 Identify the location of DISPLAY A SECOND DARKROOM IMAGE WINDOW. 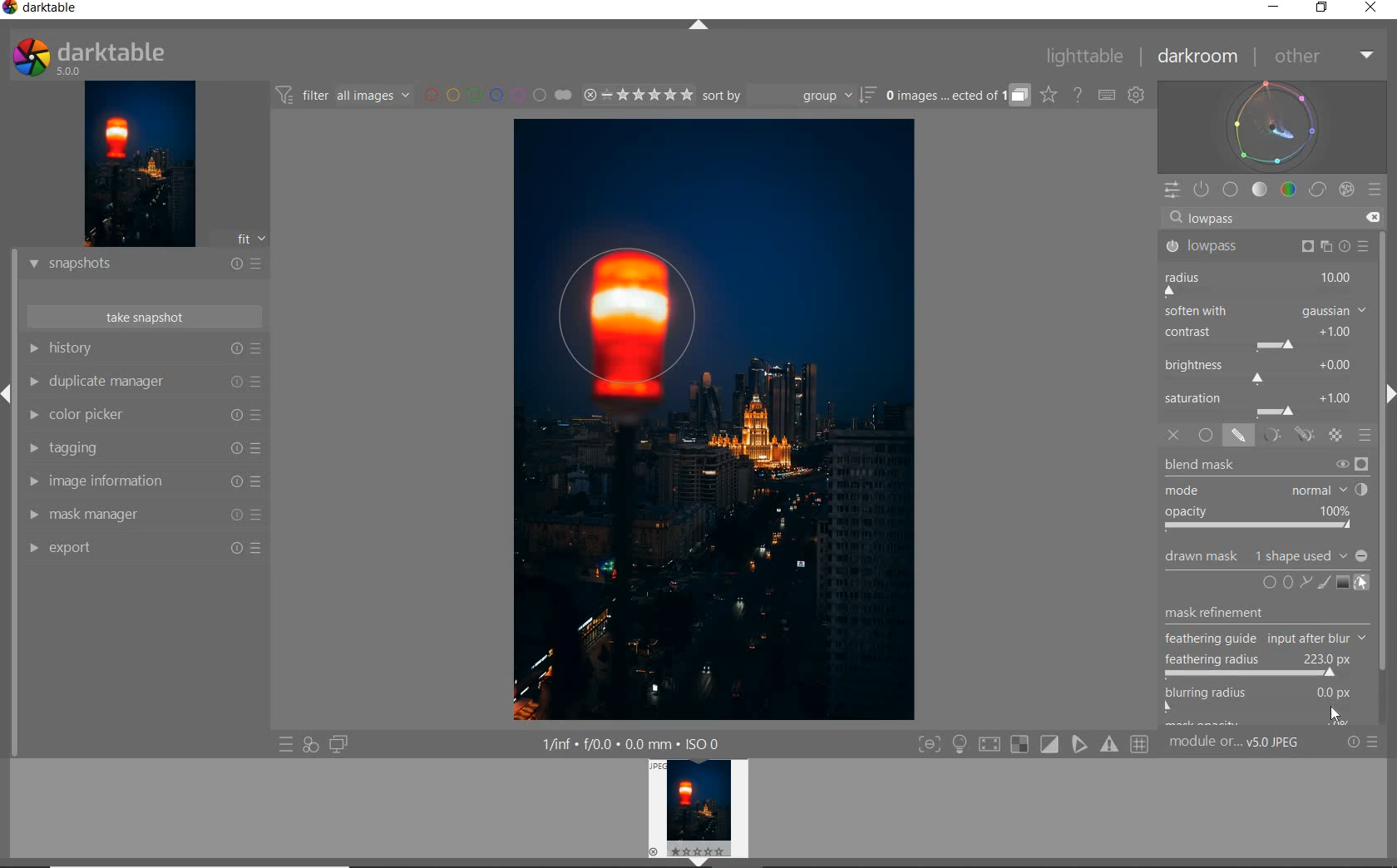
(338, 745).